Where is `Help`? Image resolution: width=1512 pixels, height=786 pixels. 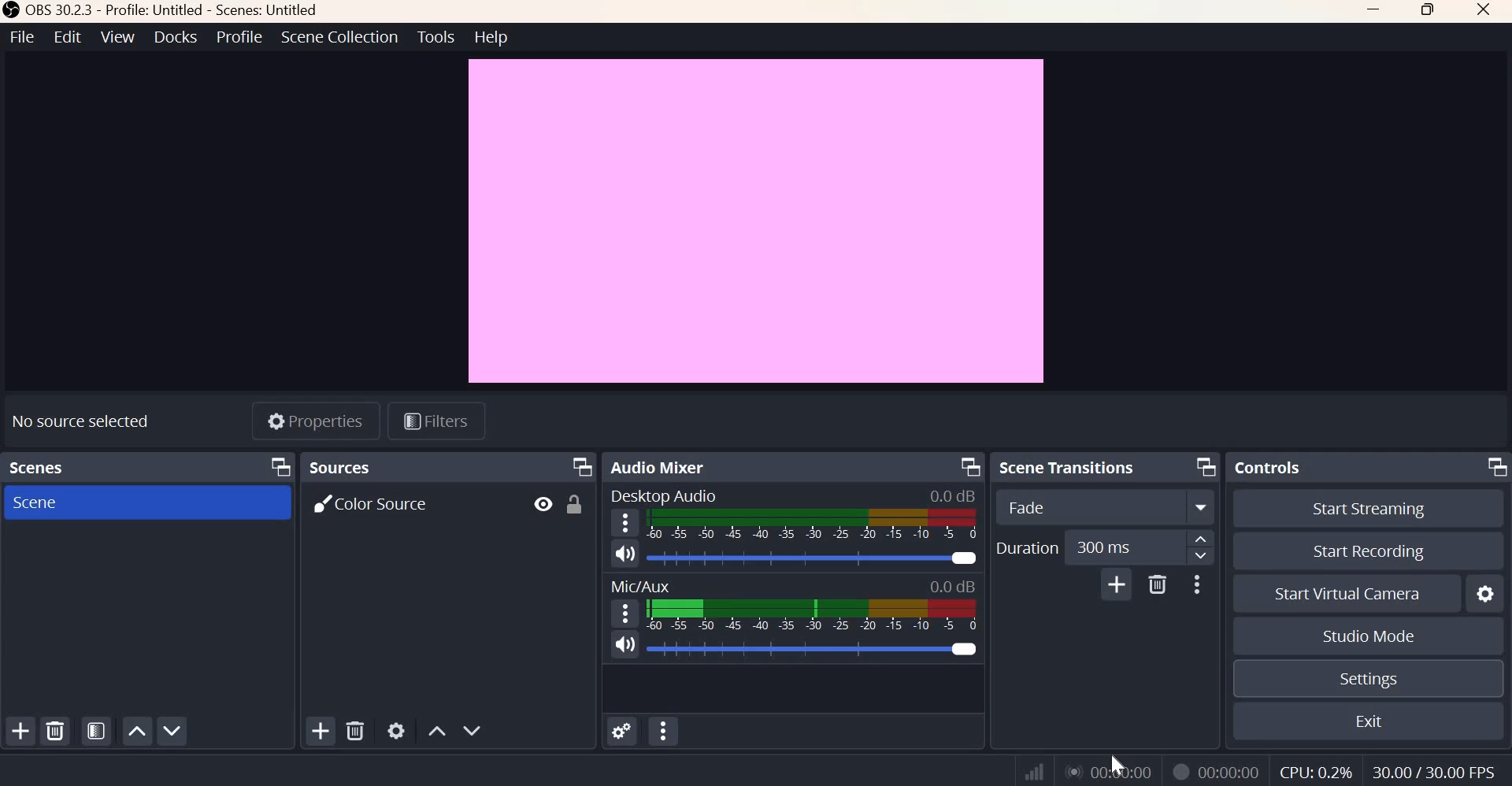 Help is located at coordinates (491, 37).